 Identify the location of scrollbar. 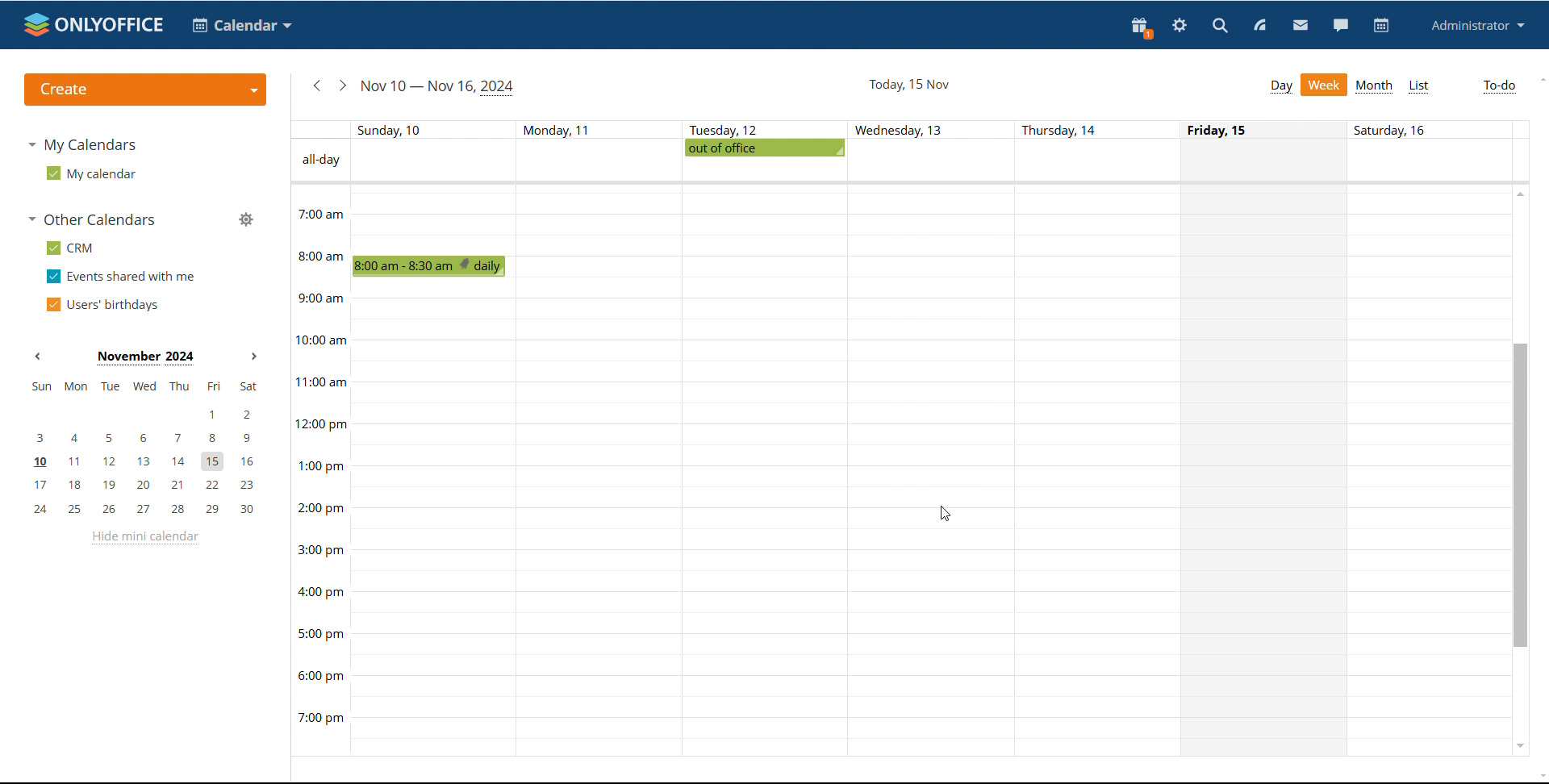
(1522, 495).